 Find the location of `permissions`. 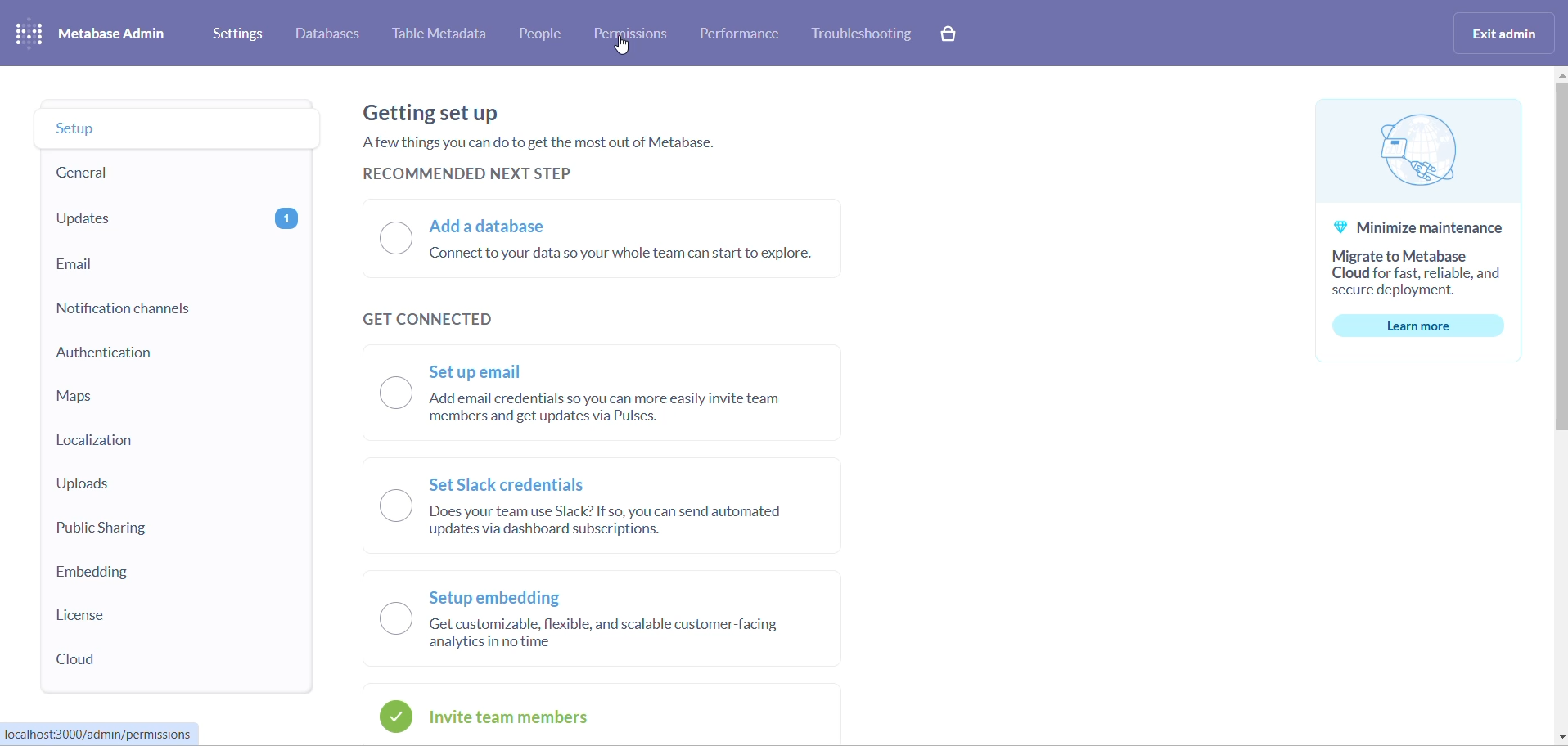

permissions is located at coordinates (636, 32).